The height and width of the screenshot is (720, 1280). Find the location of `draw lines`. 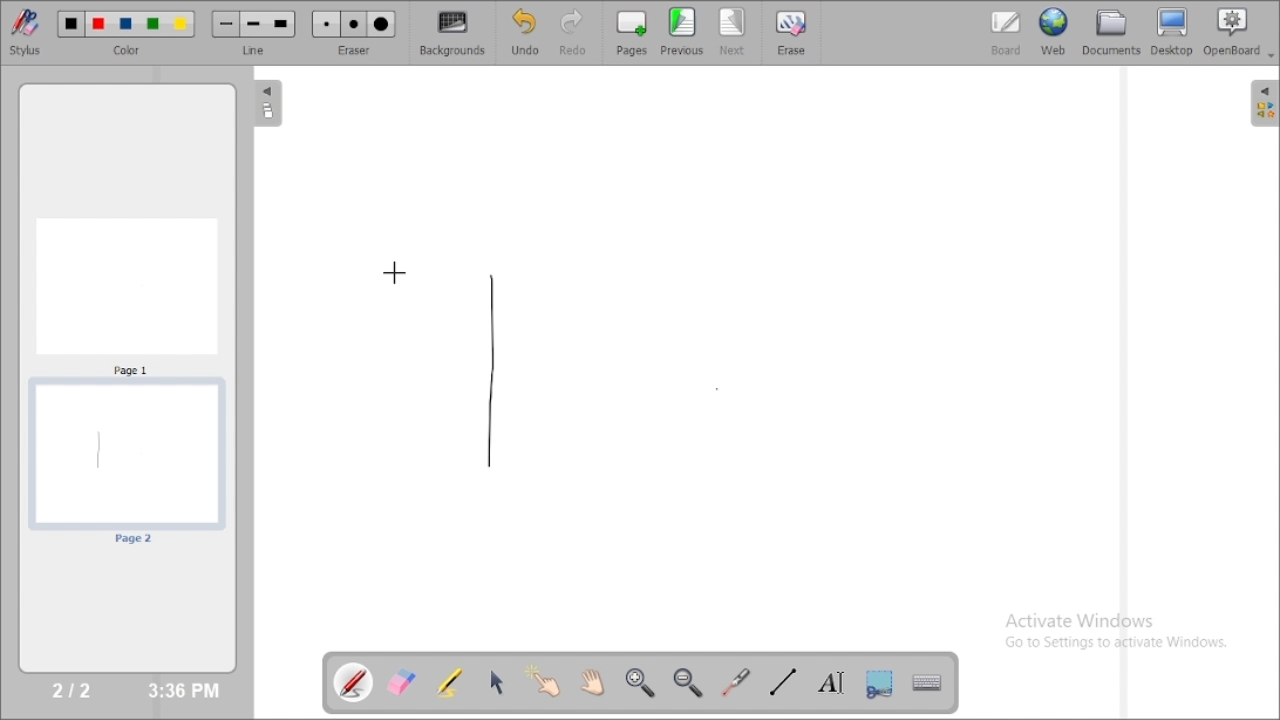

draw lines is located at coordinates (782, 681).